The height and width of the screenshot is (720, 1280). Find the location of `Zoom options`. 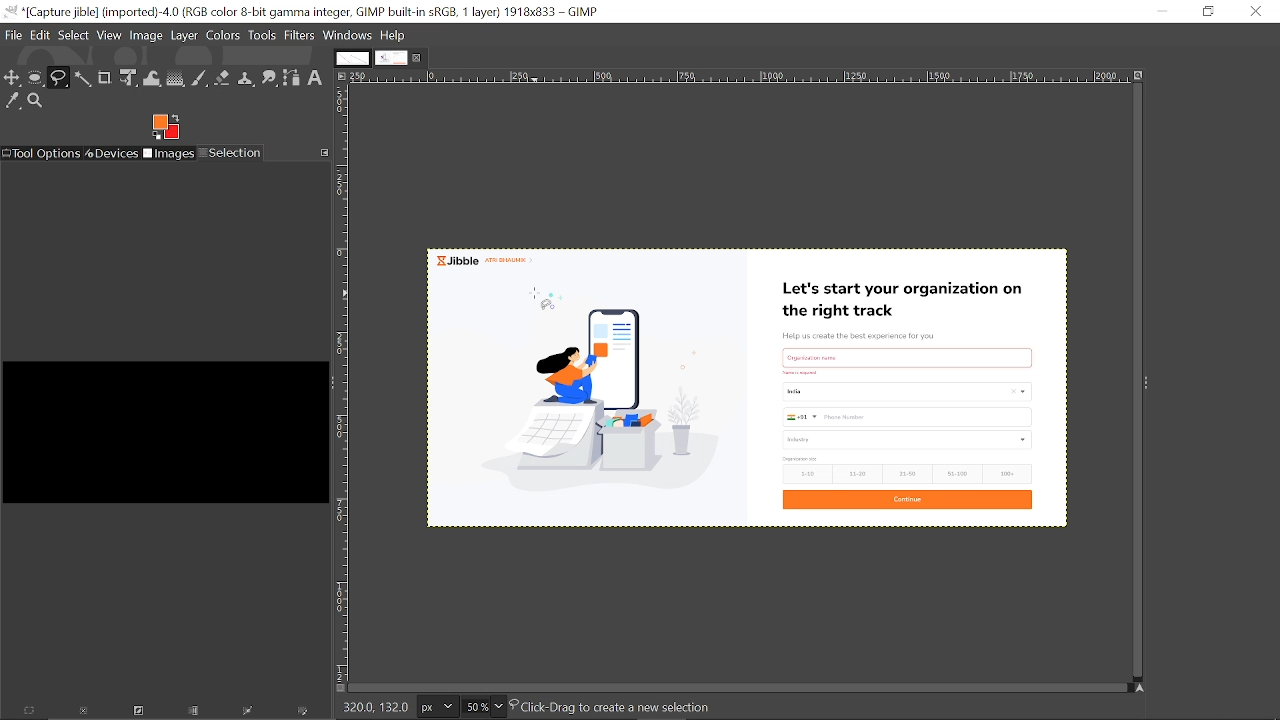

Zoom options is located at coordinates (499, 707).